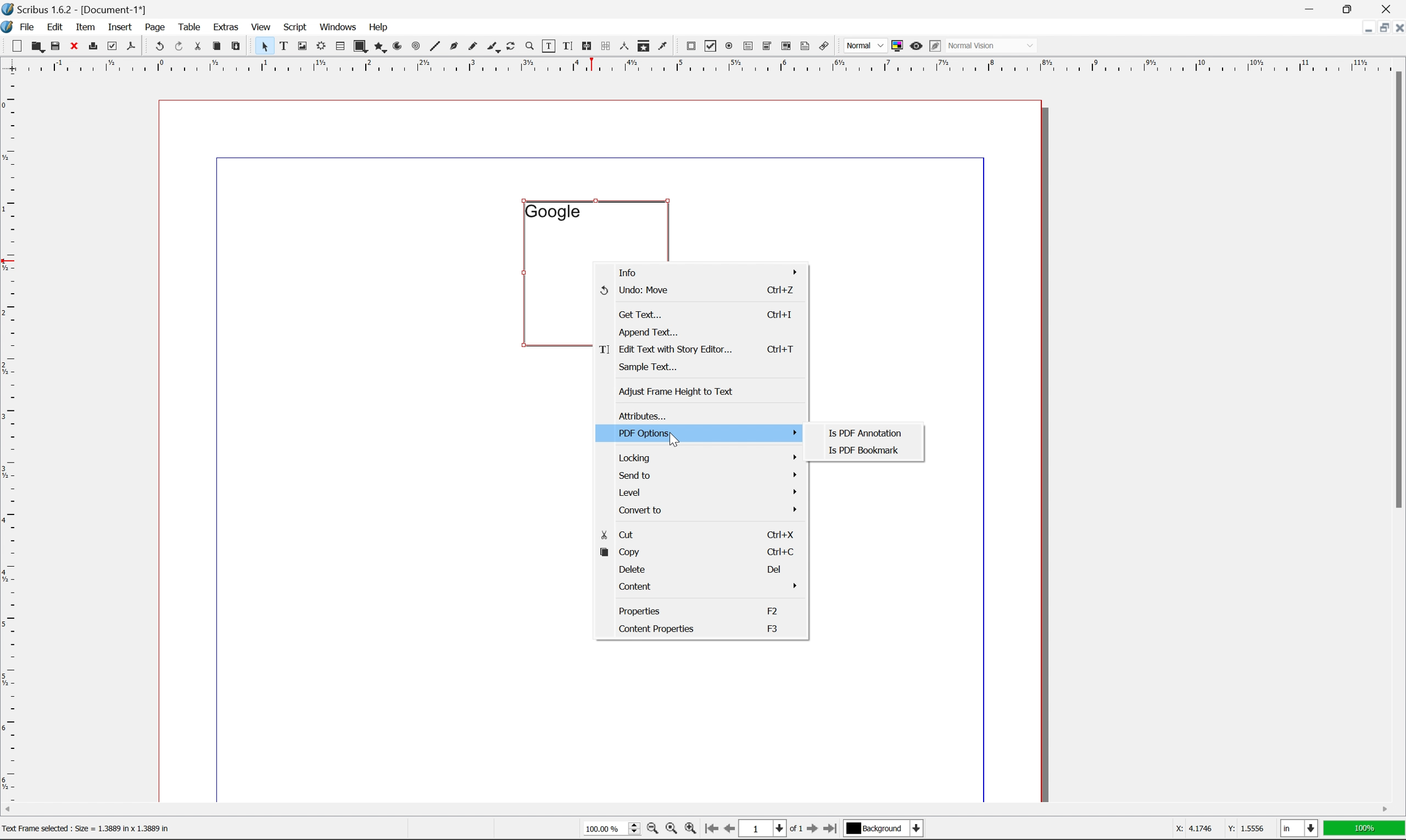 This screenshot has height=840, width=1406. Describe the element at coordinates (511, 47) in the screenshot. I see `rotate item` at that location.